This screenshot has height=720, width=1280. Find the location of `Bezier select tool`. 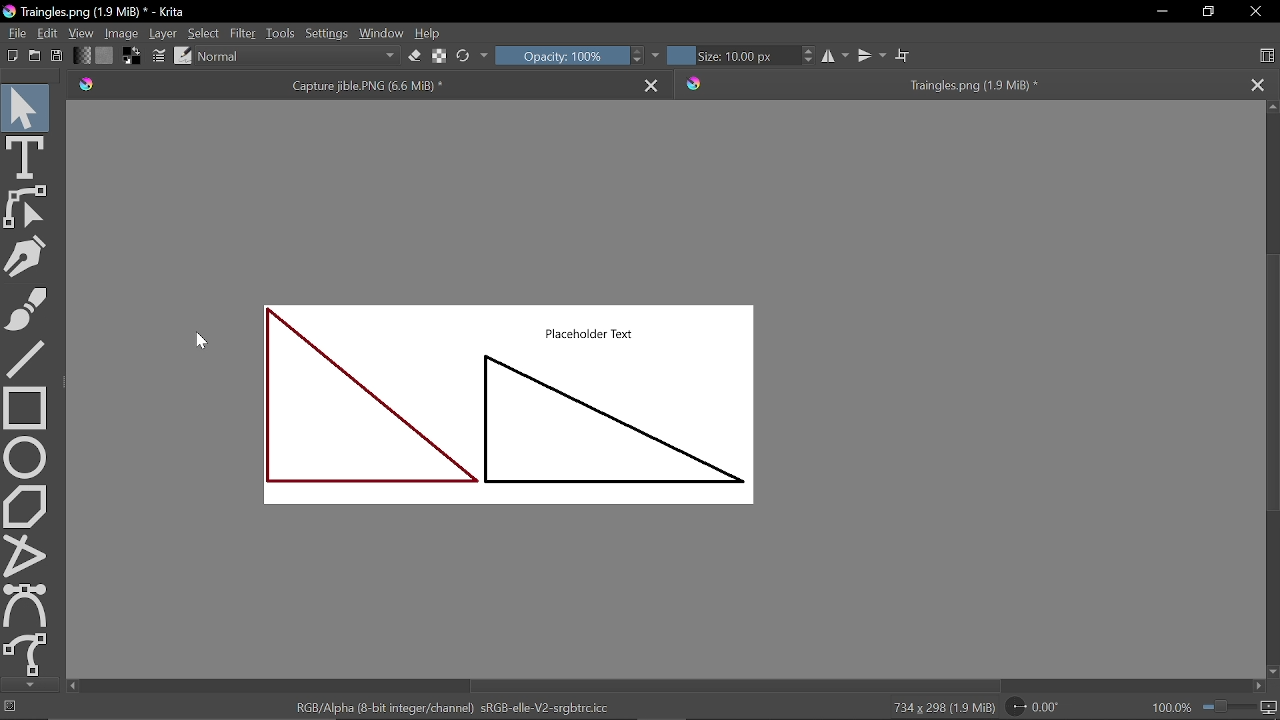

Bezier select tool is located at coordinates (27, 605).